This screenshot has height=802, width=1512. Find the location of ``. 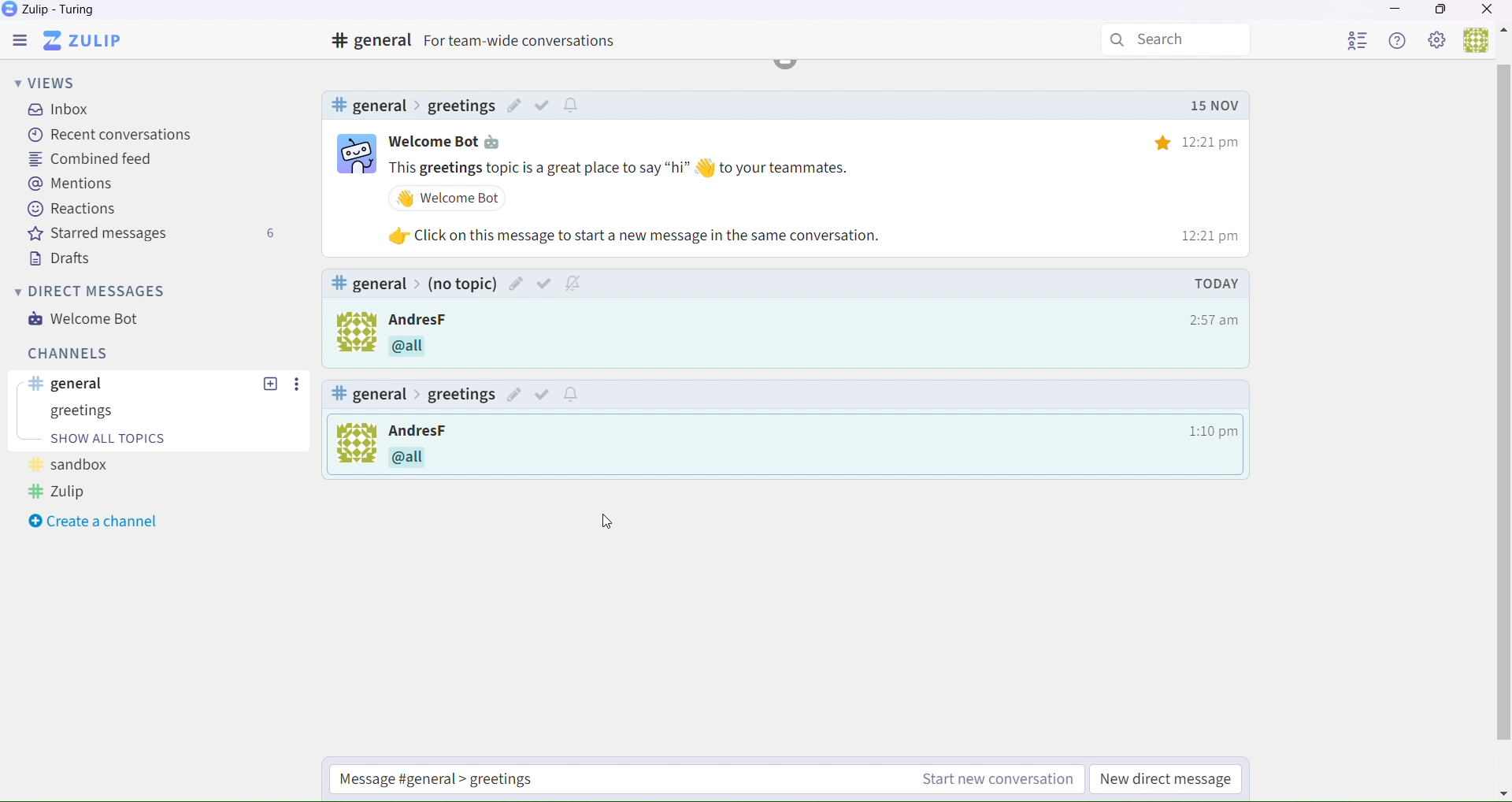

 is located at coordinates (546, 282).